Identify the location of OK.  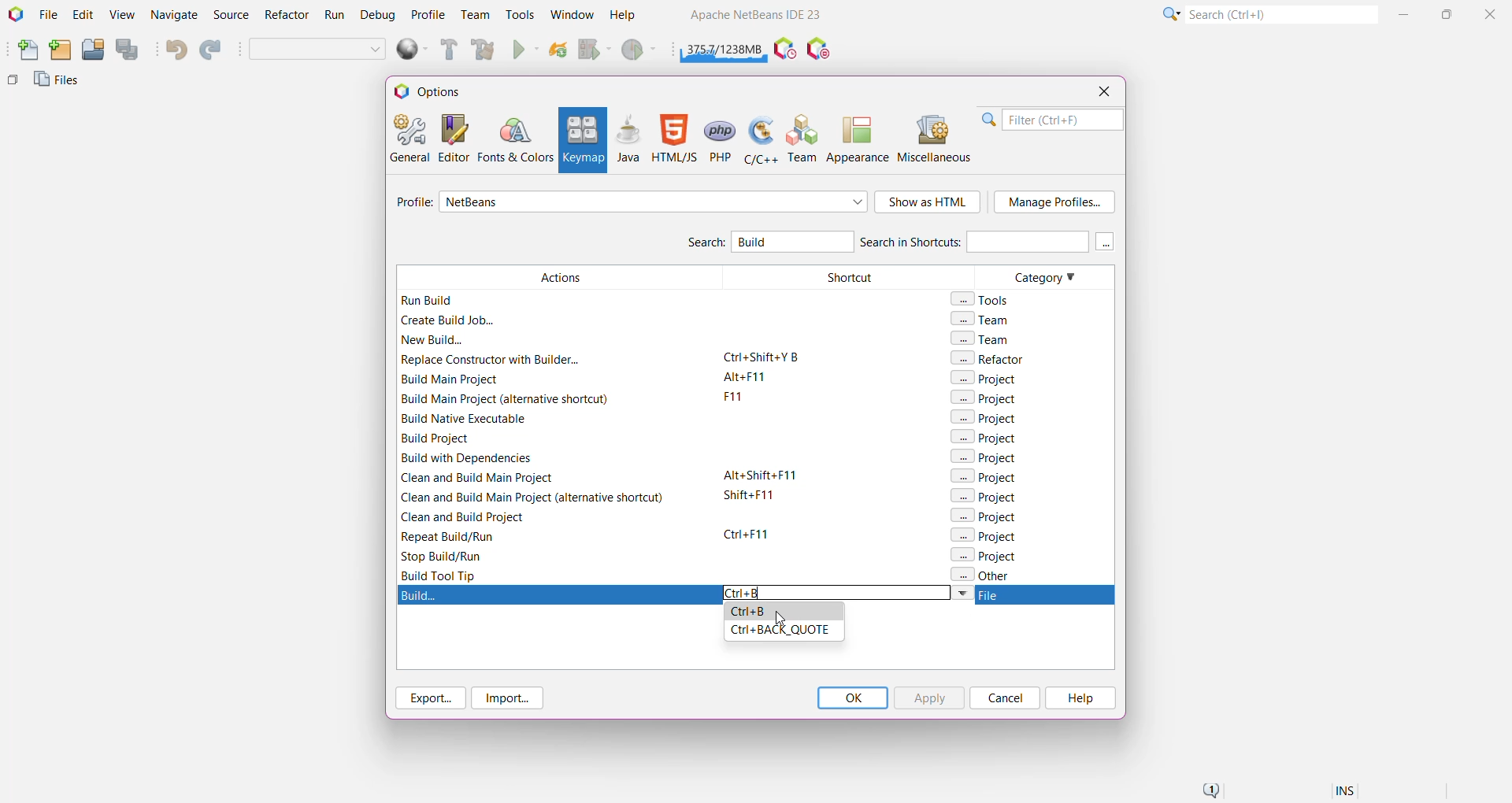
(852, 698).